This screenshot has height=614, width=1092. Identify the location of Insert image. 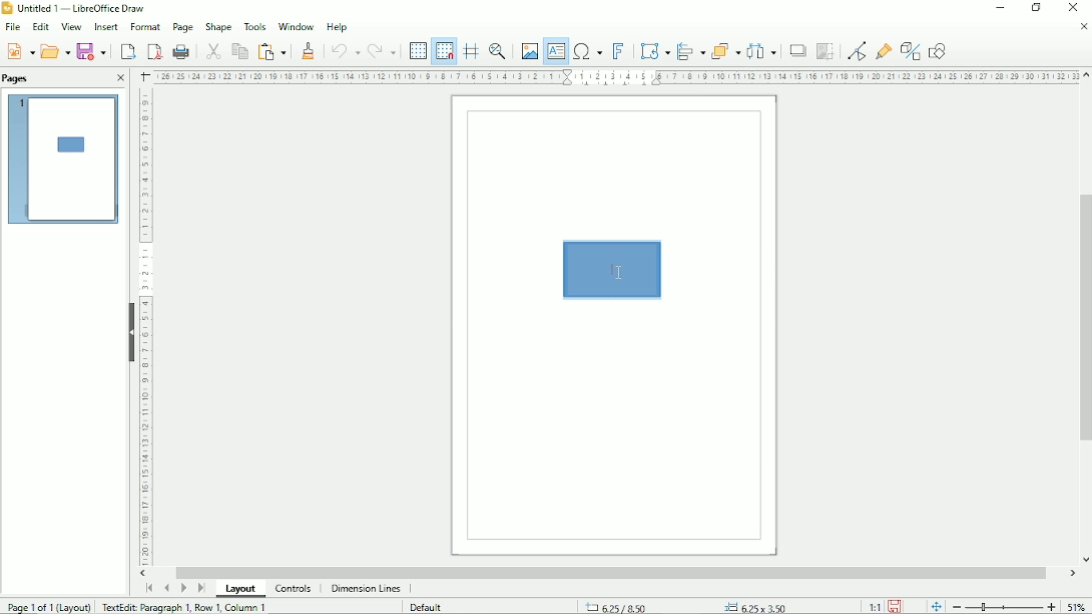
(528, 49).